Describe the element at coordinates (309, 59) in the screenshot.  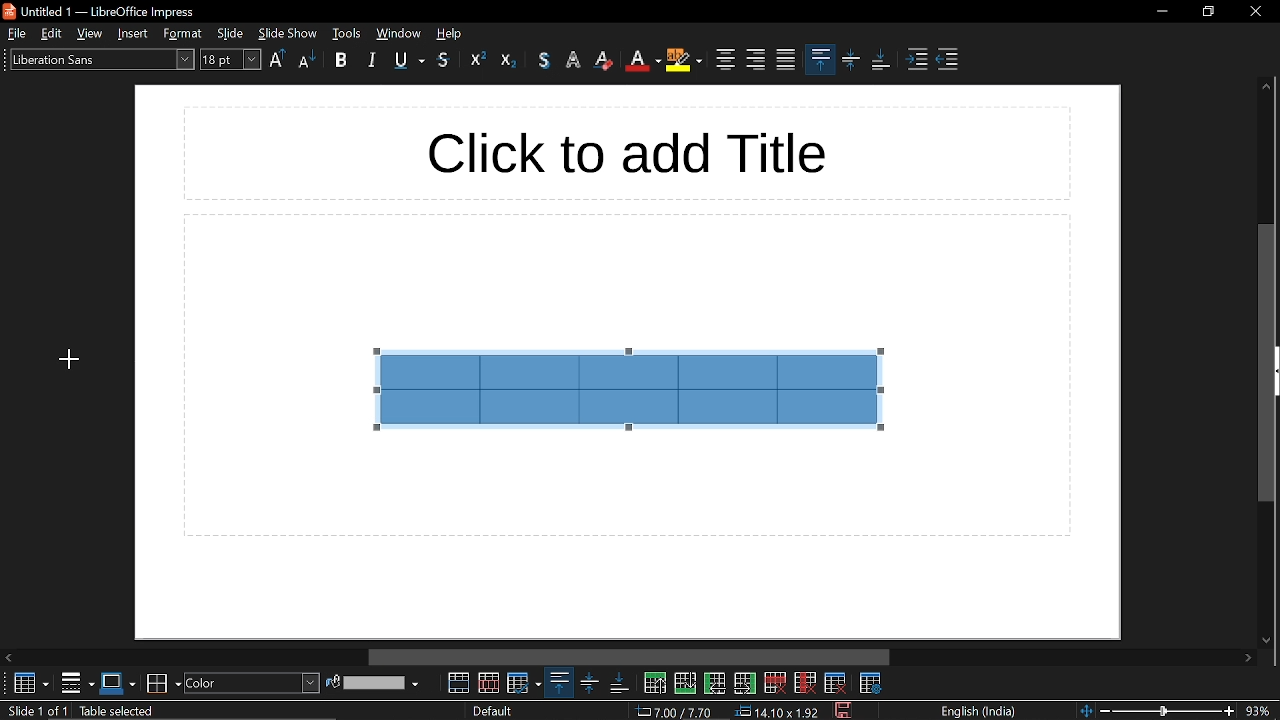
I see `lower case` at that location.